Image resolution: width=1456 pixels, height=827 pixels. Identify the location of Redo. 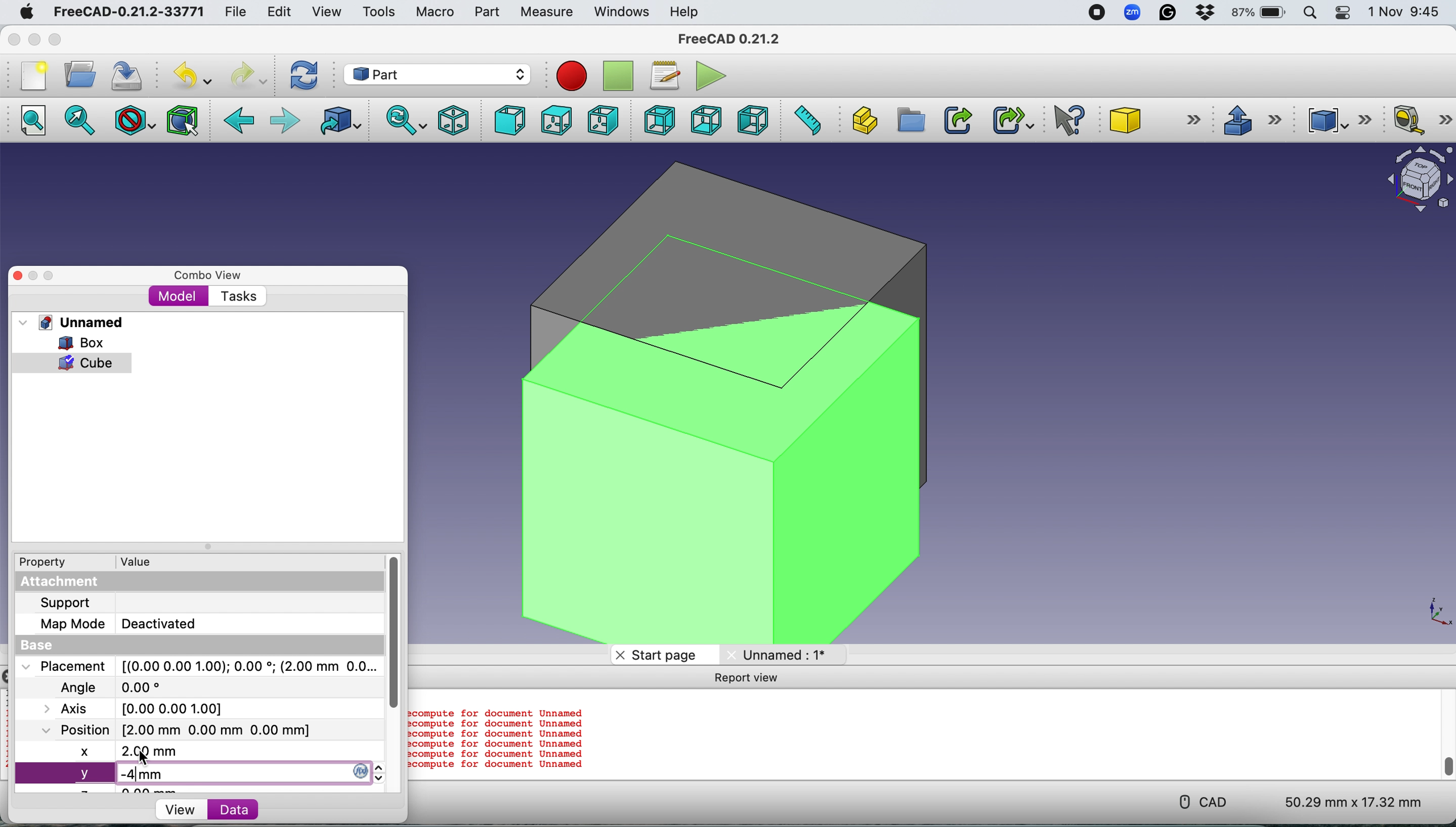
(247, 76).